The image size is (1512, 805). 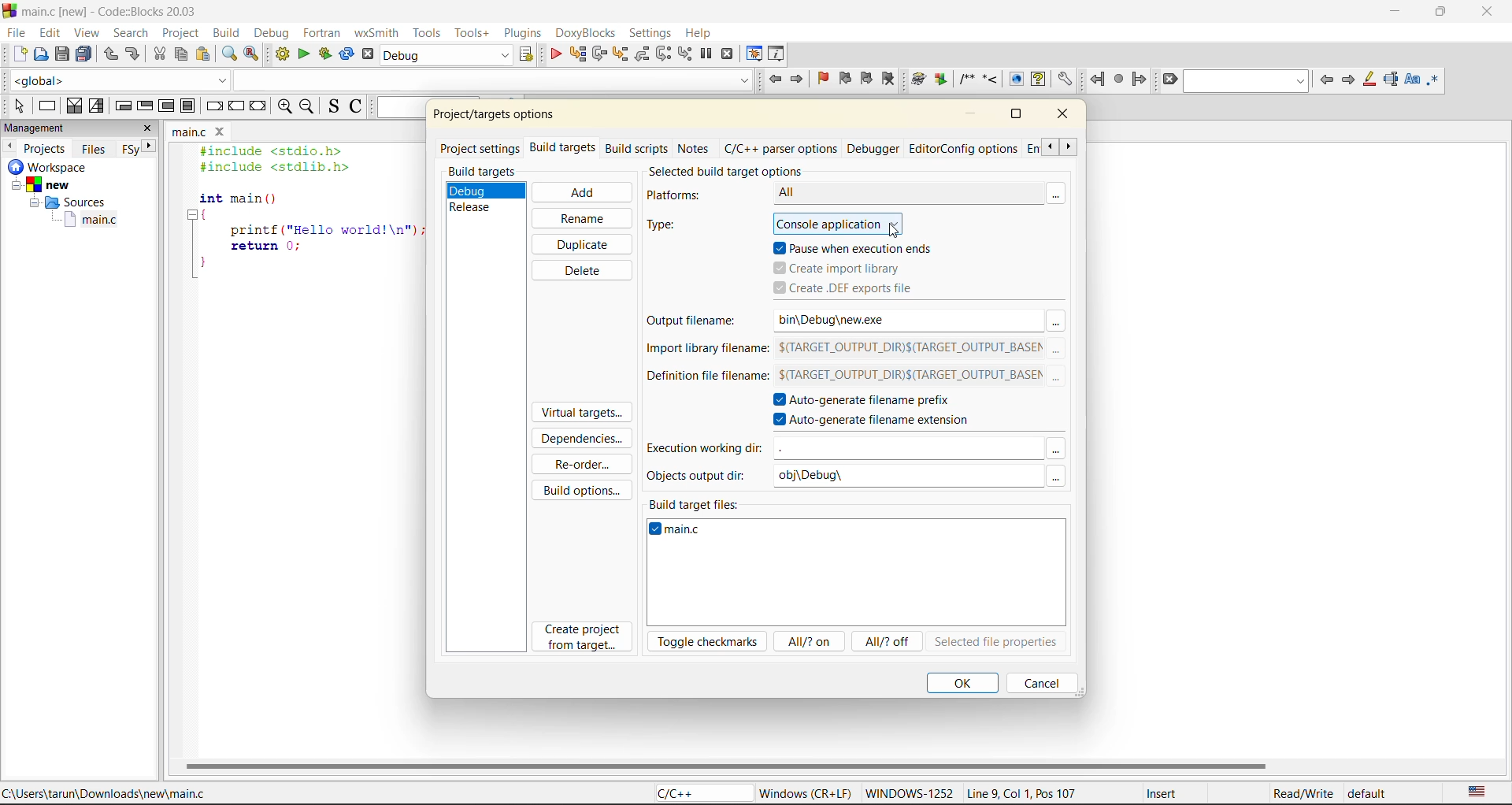 I want to click on build target, so click(x=447, y=56).